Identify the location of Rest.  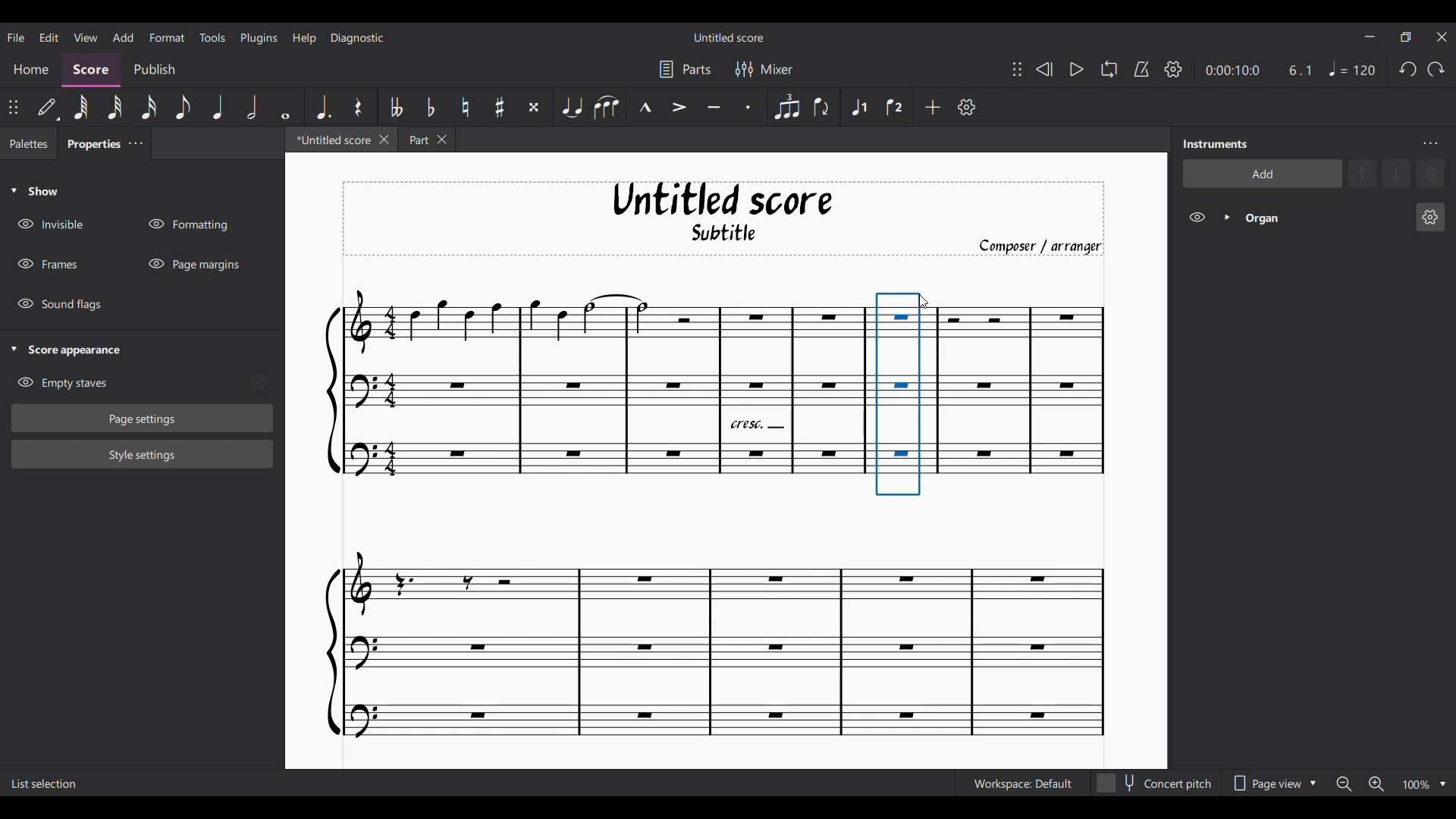
(358, 107).